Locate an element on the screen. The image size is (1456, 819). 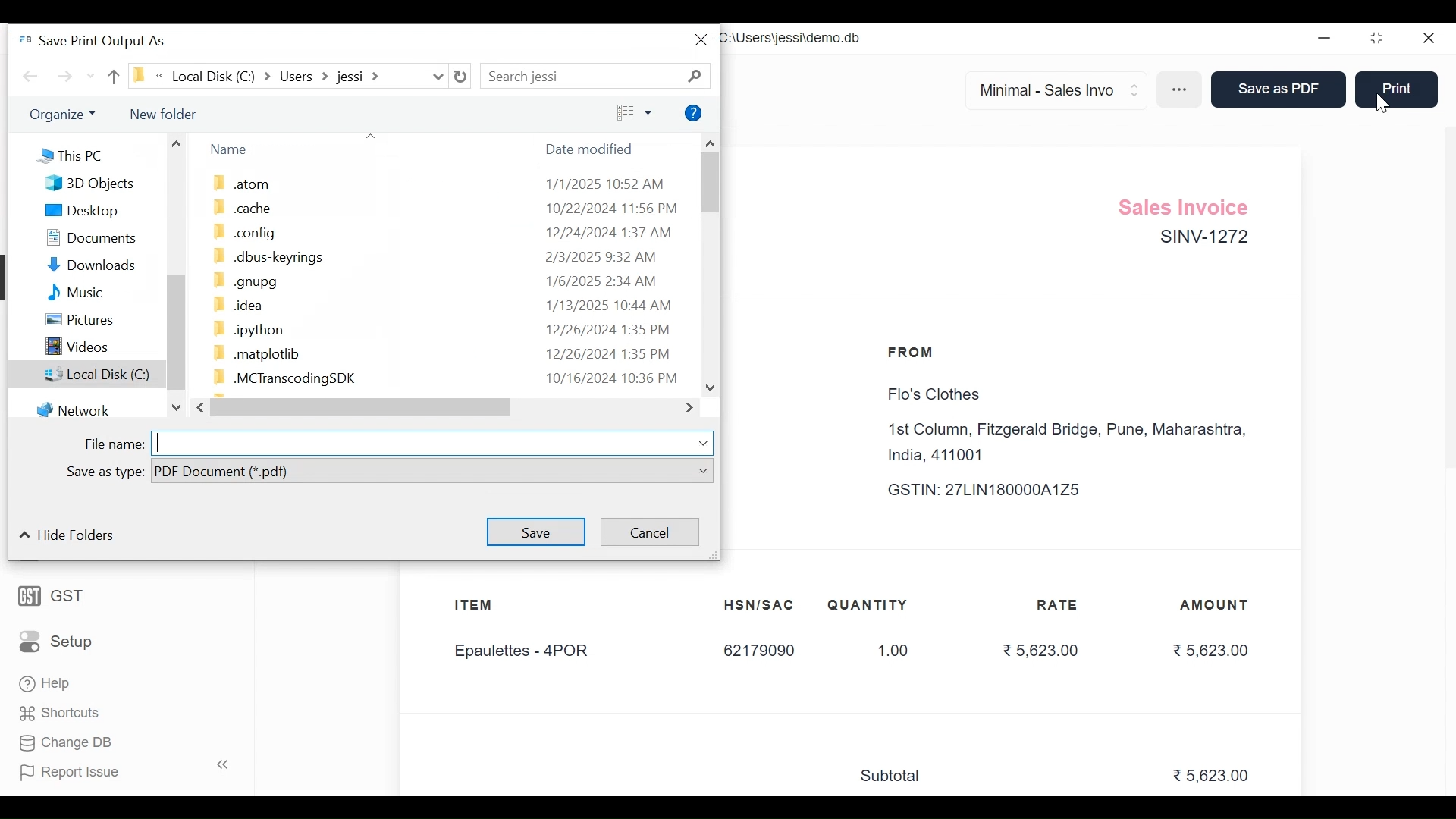
1.00 is located at coordinates (885, 651).